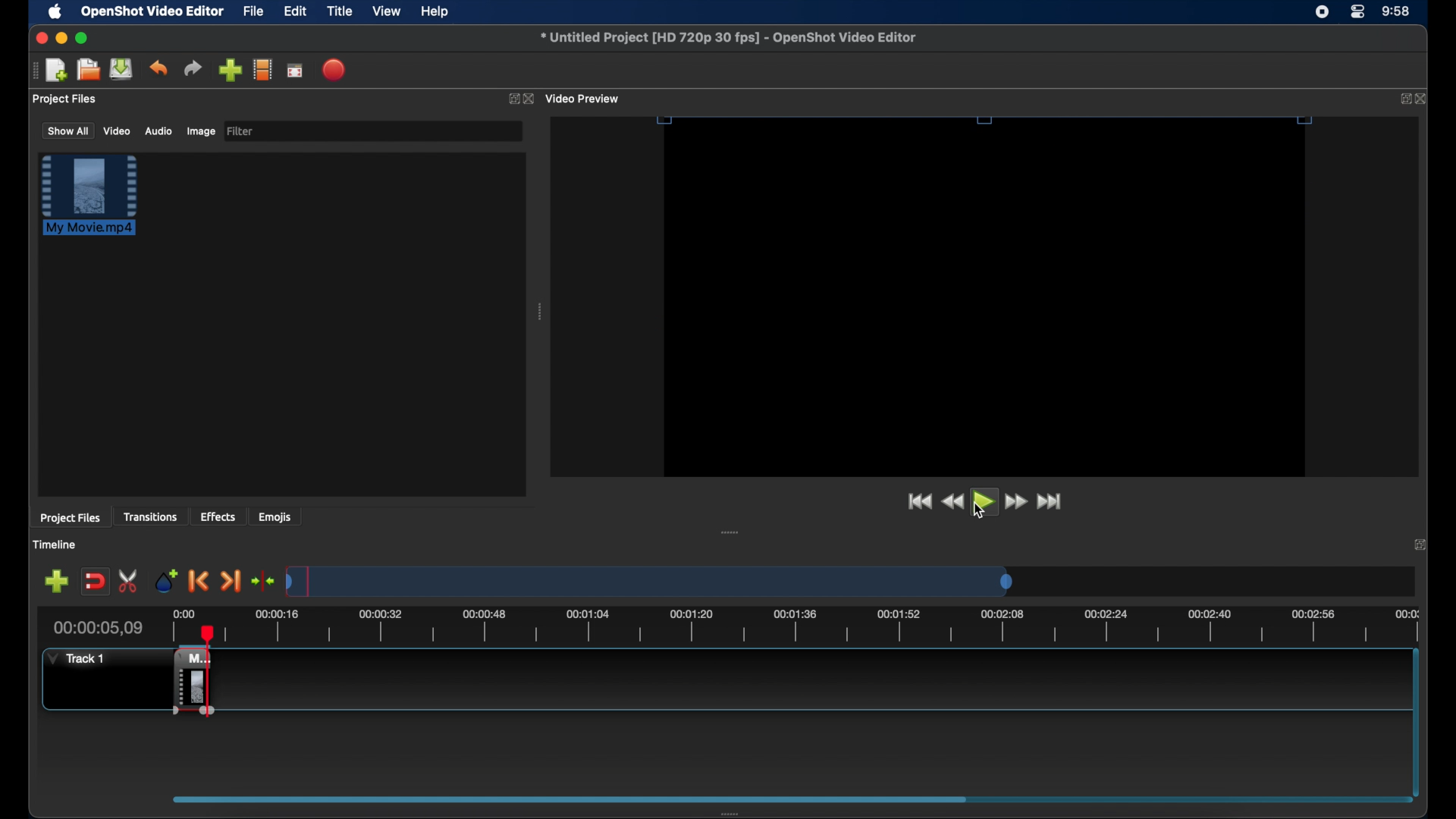 The width and height of the screenshot is (1456, 819). Describe the element at coordinates (177, 634) in the screenshot. I see `playhead` at that location.